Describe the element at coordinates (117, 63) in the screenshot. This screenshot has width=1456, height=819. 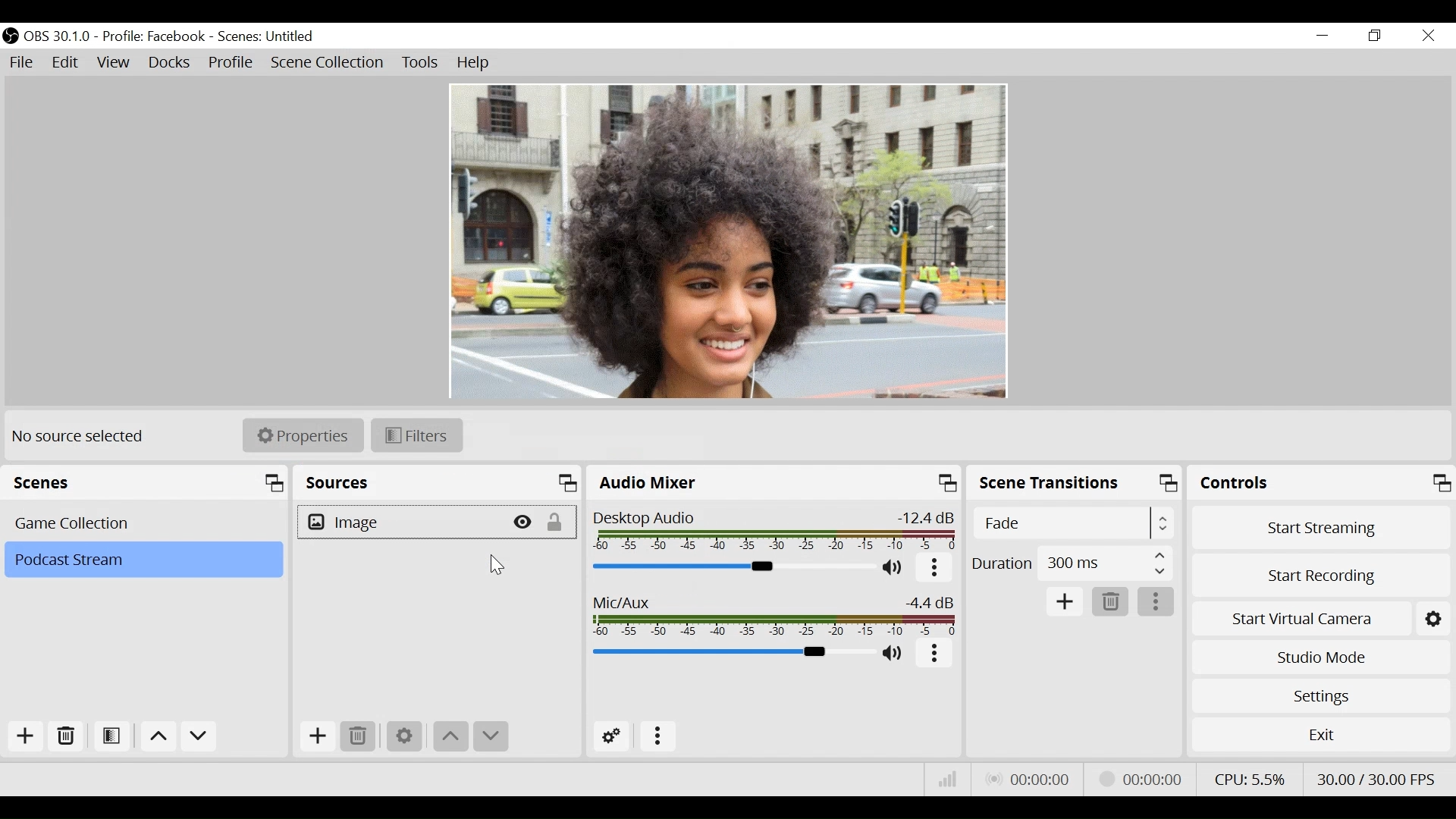
I see `View` at that location.